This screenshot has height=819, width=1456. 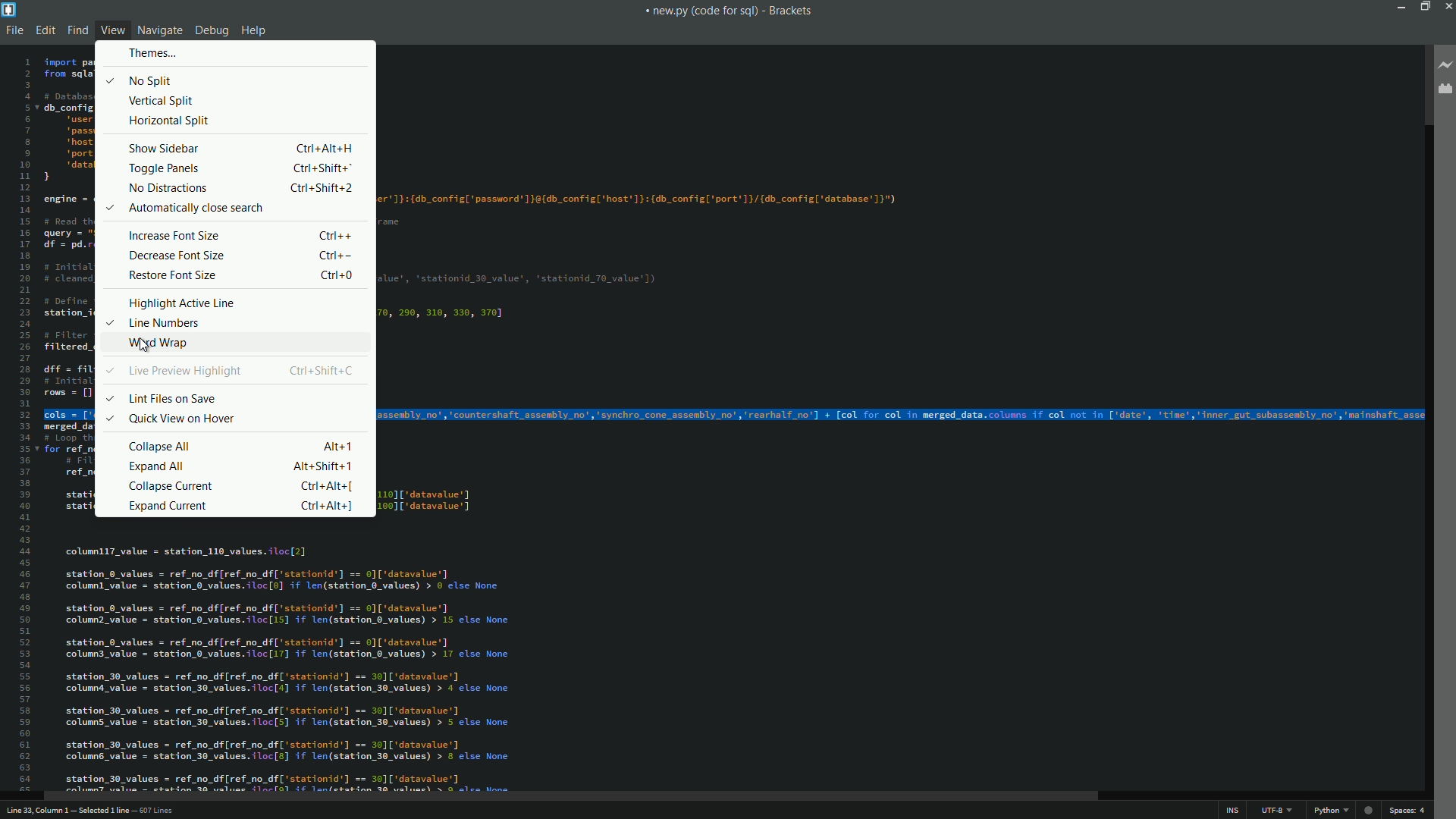 I want to click on scrollbar, so click(x=570, y=796).